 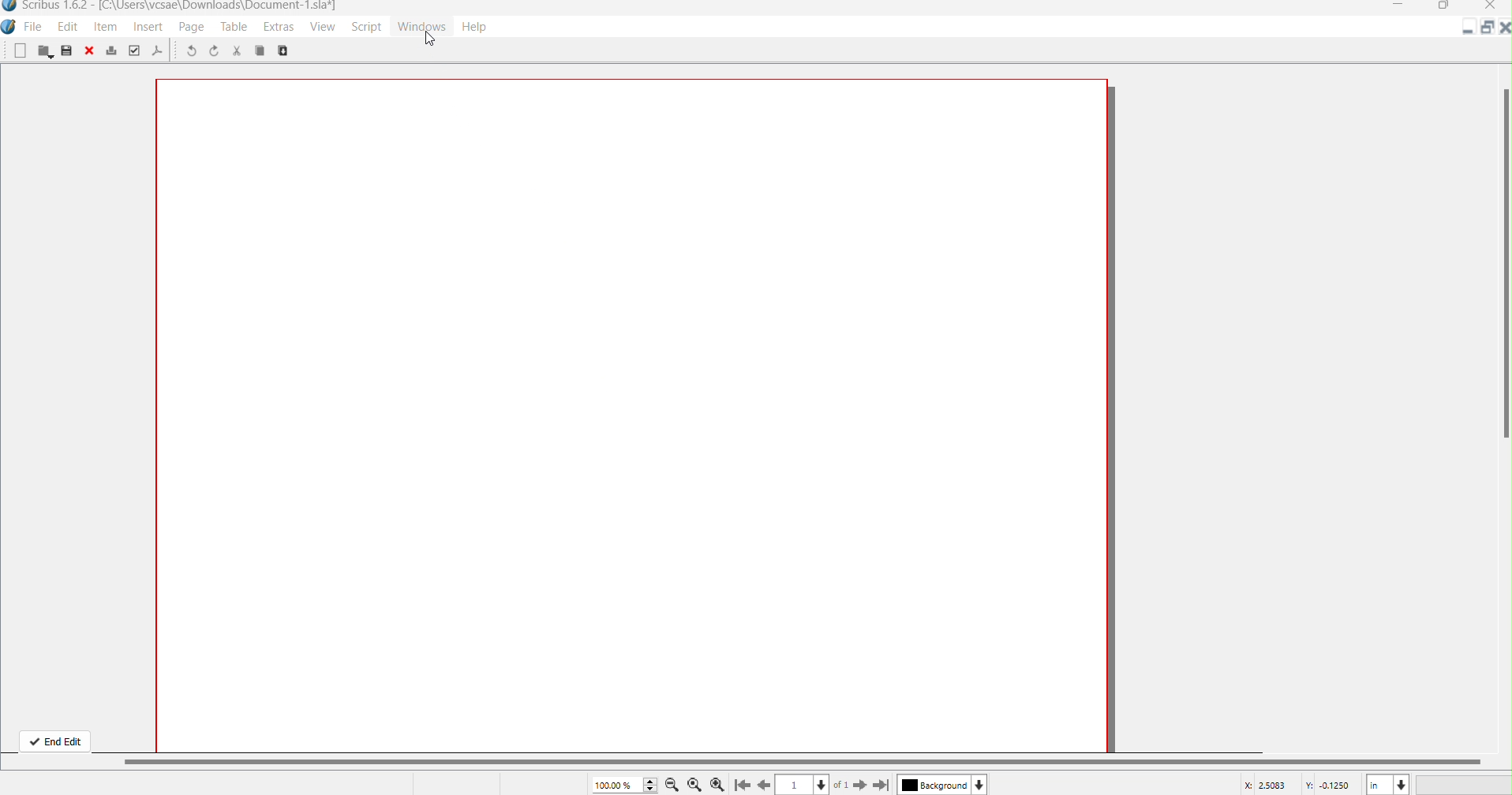 What do you see at coordinates (765, 784) in the screenshot?
I see `back` at bounding box center [765, 784].